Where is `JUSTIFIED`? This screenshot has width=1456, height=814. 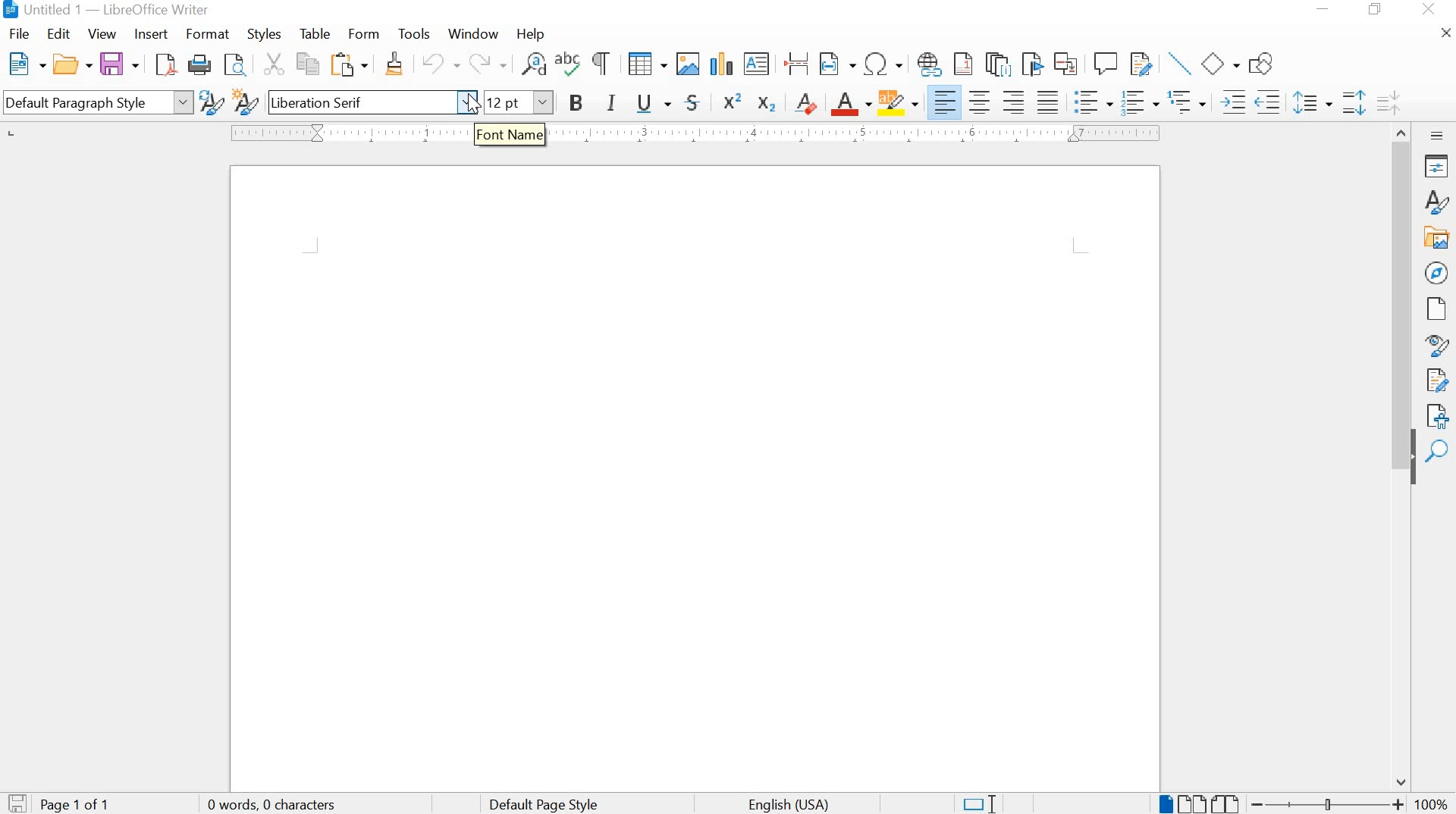
JUSTIFIED is located at coordinates (1047, 99).